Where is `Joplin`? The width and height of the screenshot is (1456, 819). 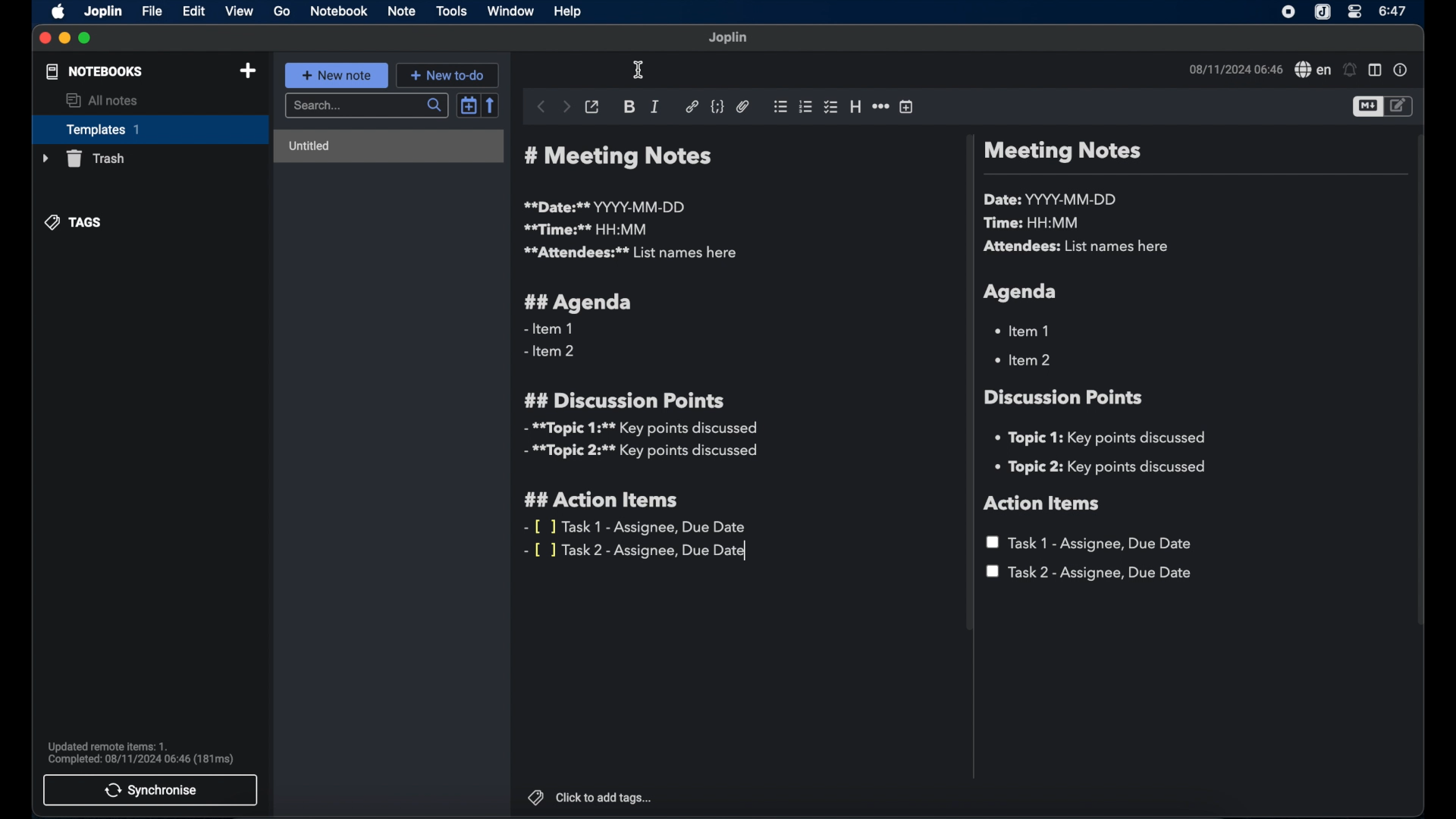 Joplin is located at coordinates (729, 38).